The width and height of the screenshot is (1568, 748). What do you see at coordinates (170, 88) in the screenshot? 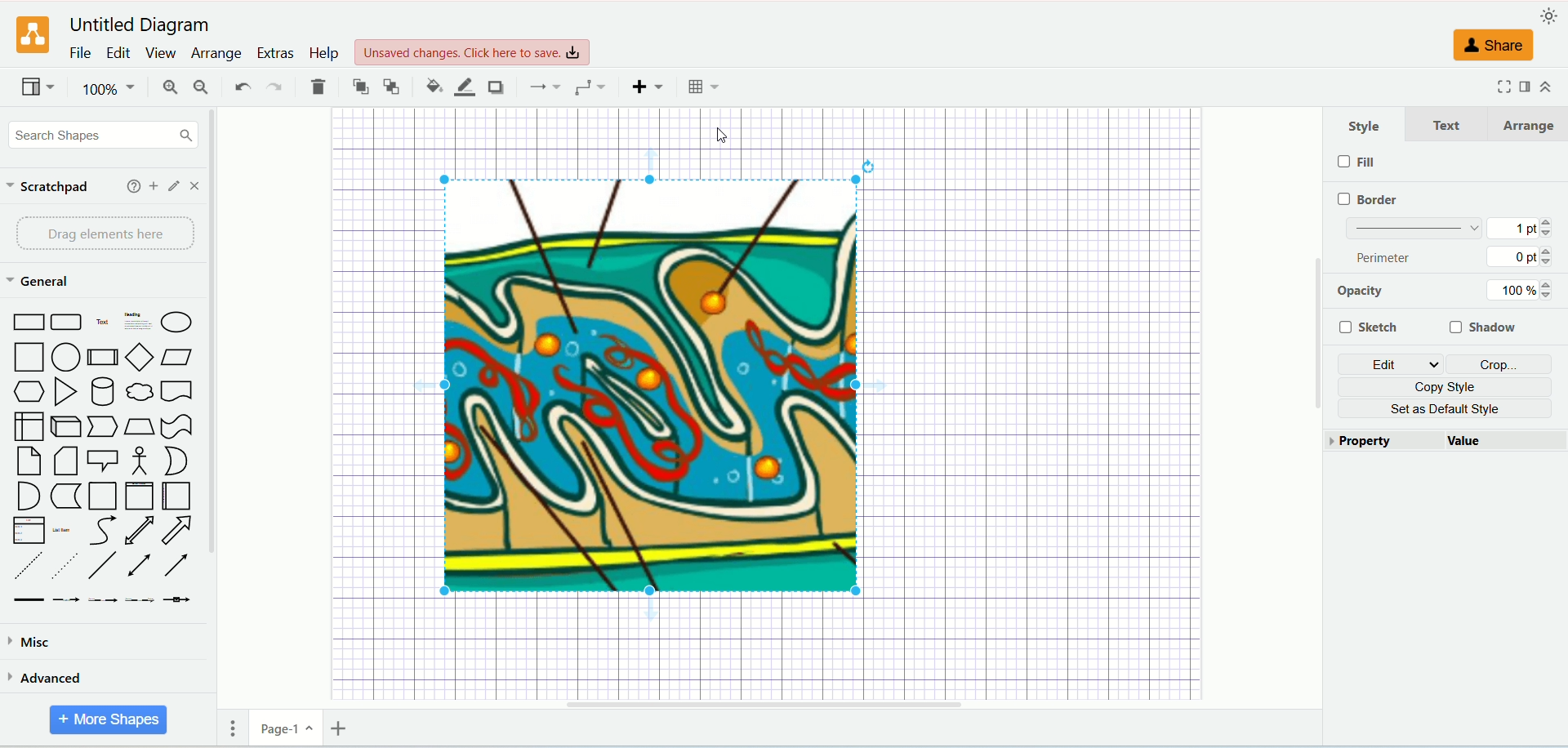
I see `zoom in` at bounding box center [170, 88].